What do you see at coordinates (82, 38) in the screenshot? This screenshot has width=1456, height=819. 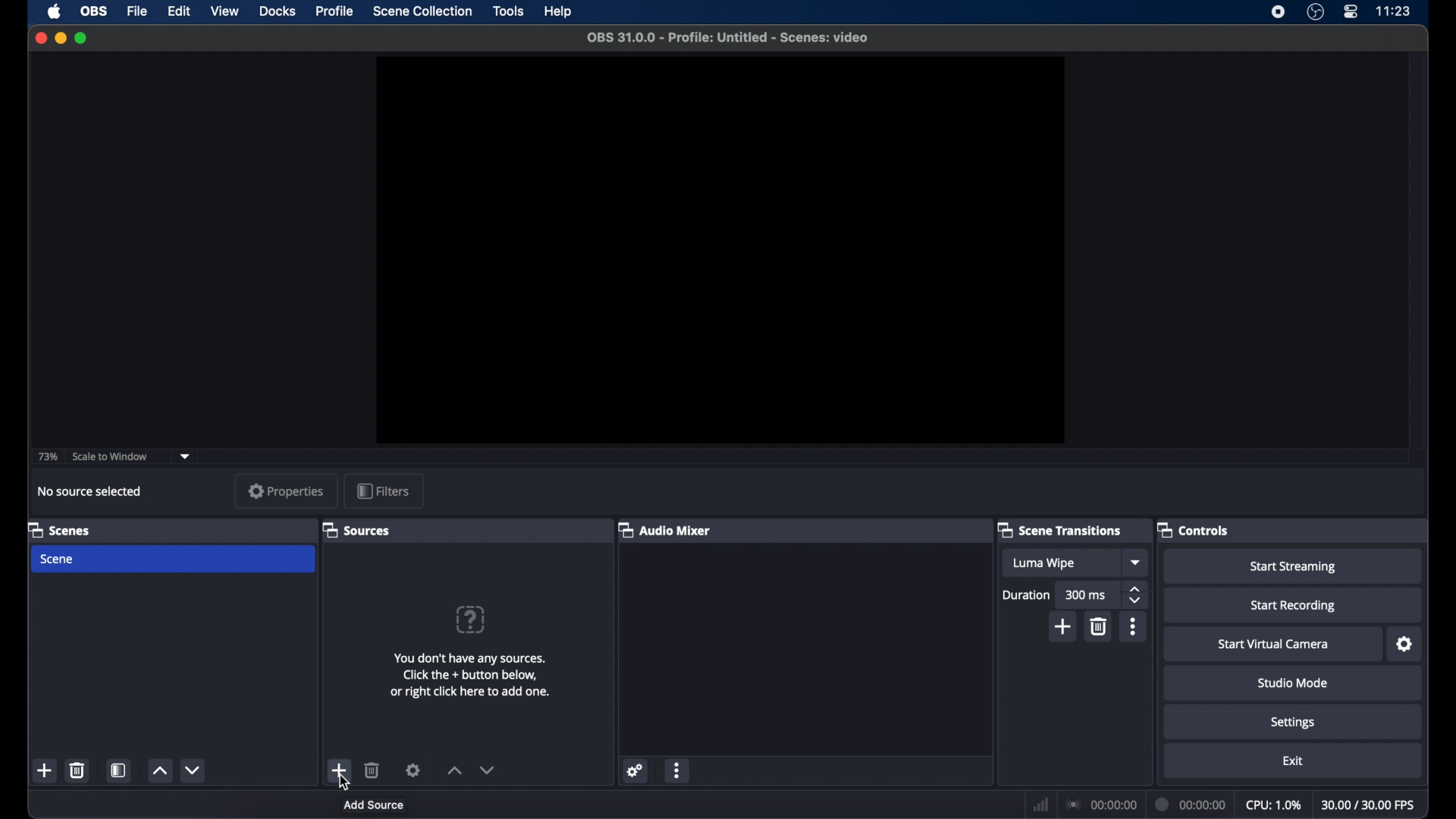 I see `maximize` at bounding box center [82, 38].